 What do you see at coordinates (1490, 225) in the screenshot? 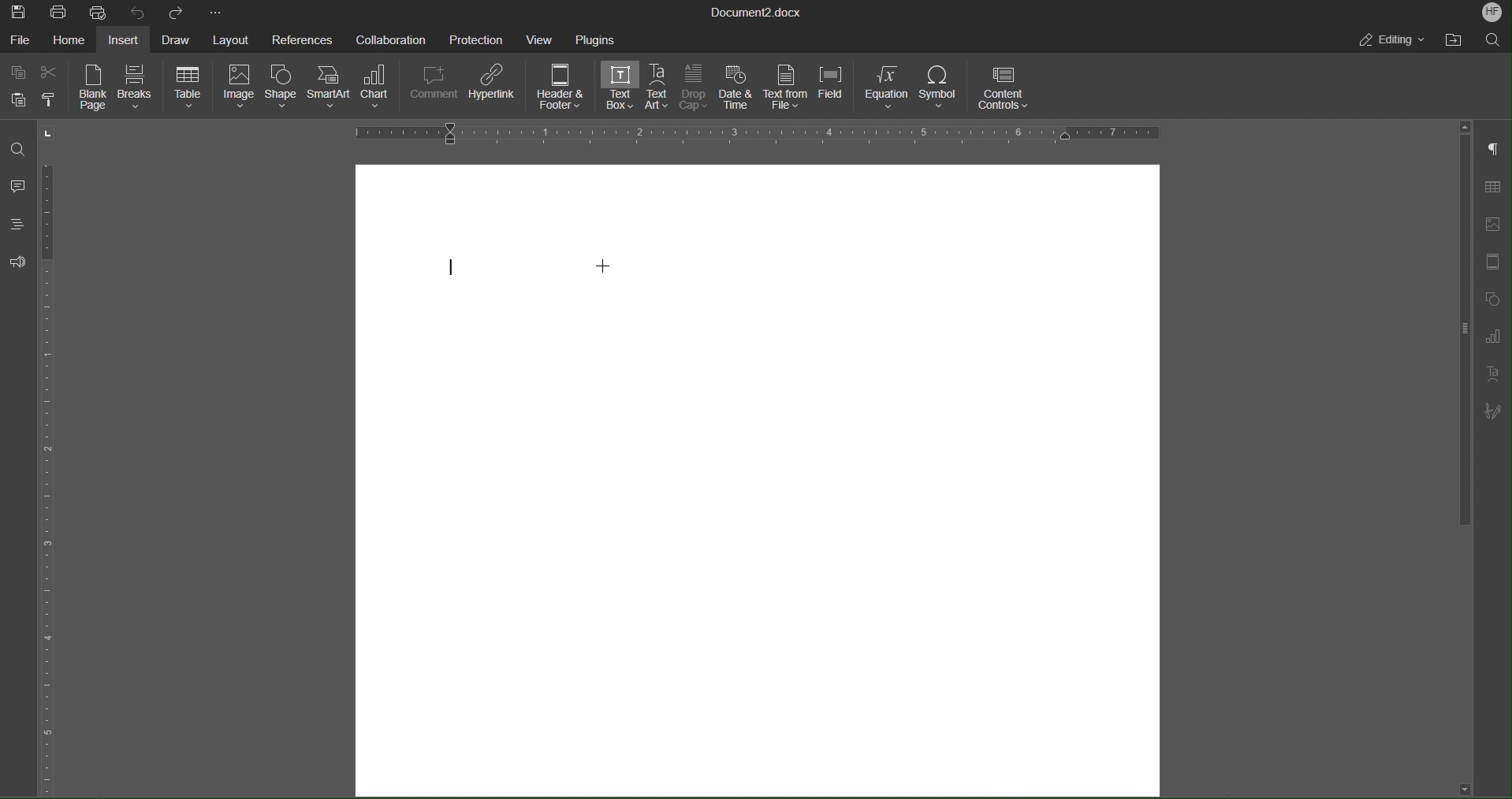
I see `Insert Image` at bounding box center [1490, 225].